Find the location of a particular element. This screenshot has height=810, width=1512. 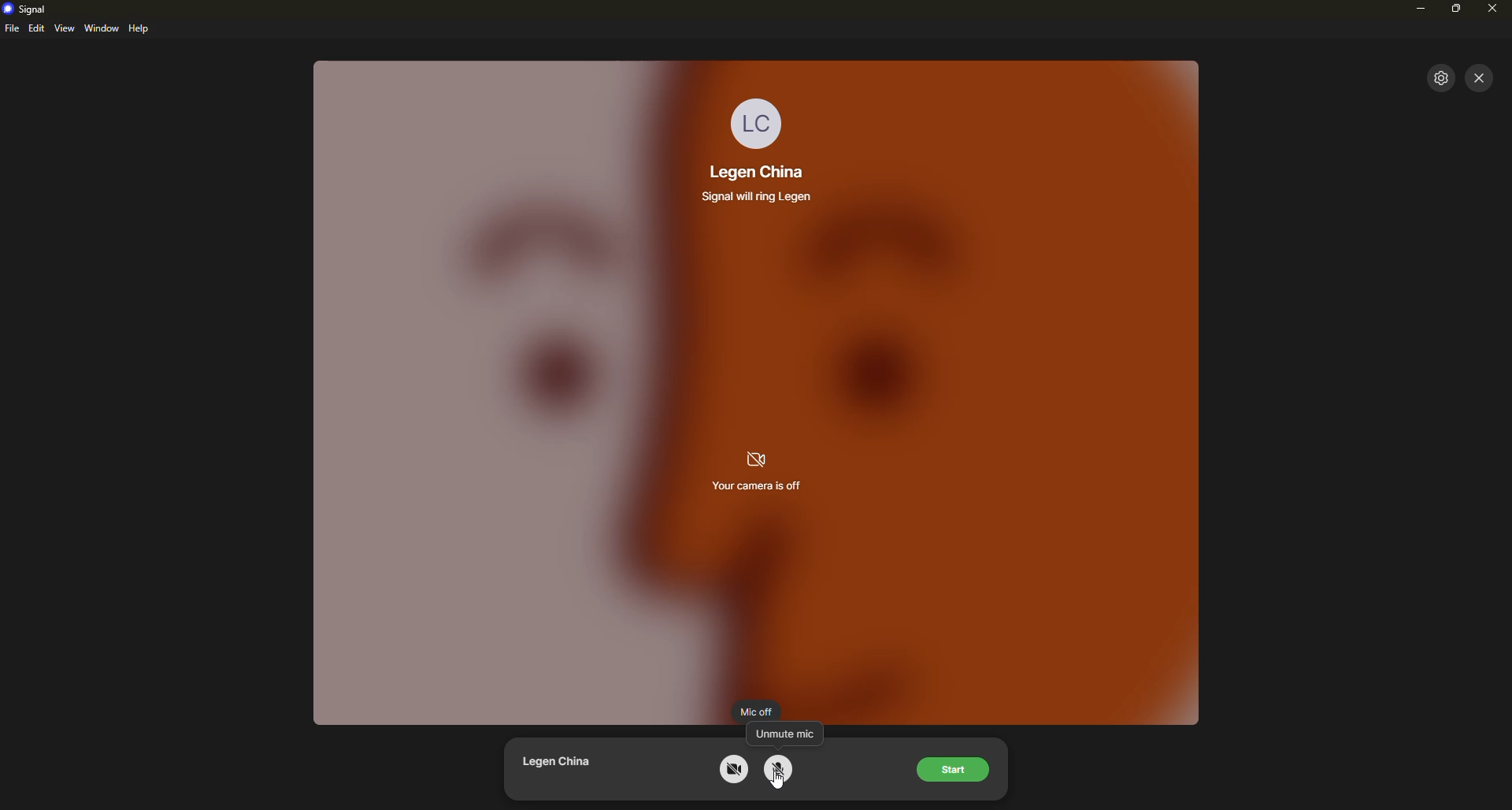

signal is located at coordinates (31, 9).